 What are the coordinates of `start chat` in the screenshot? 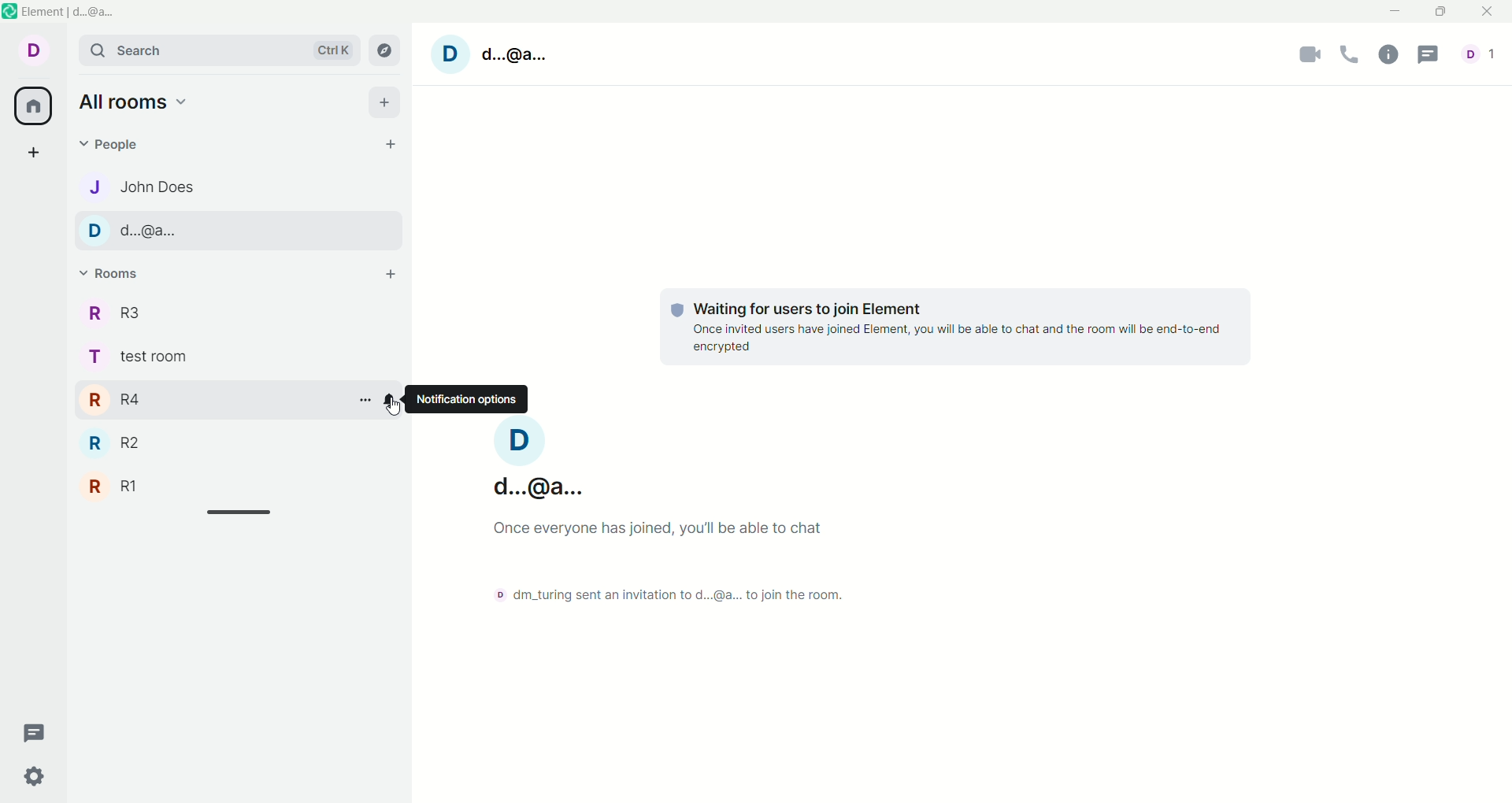 It's located at (390, 144).